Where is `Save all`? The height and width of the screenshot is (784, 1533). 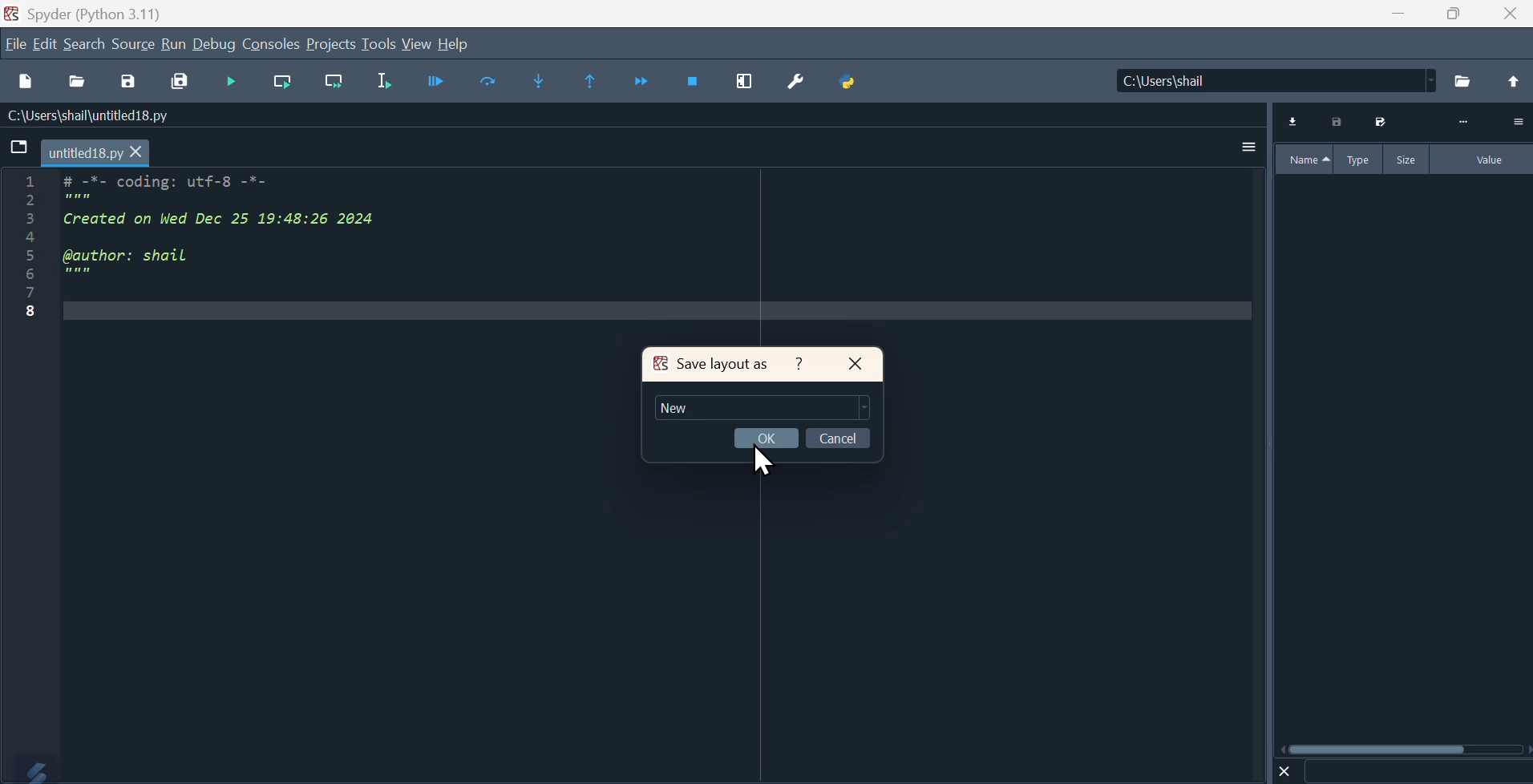 Save all is located at coordinates (180, 83).